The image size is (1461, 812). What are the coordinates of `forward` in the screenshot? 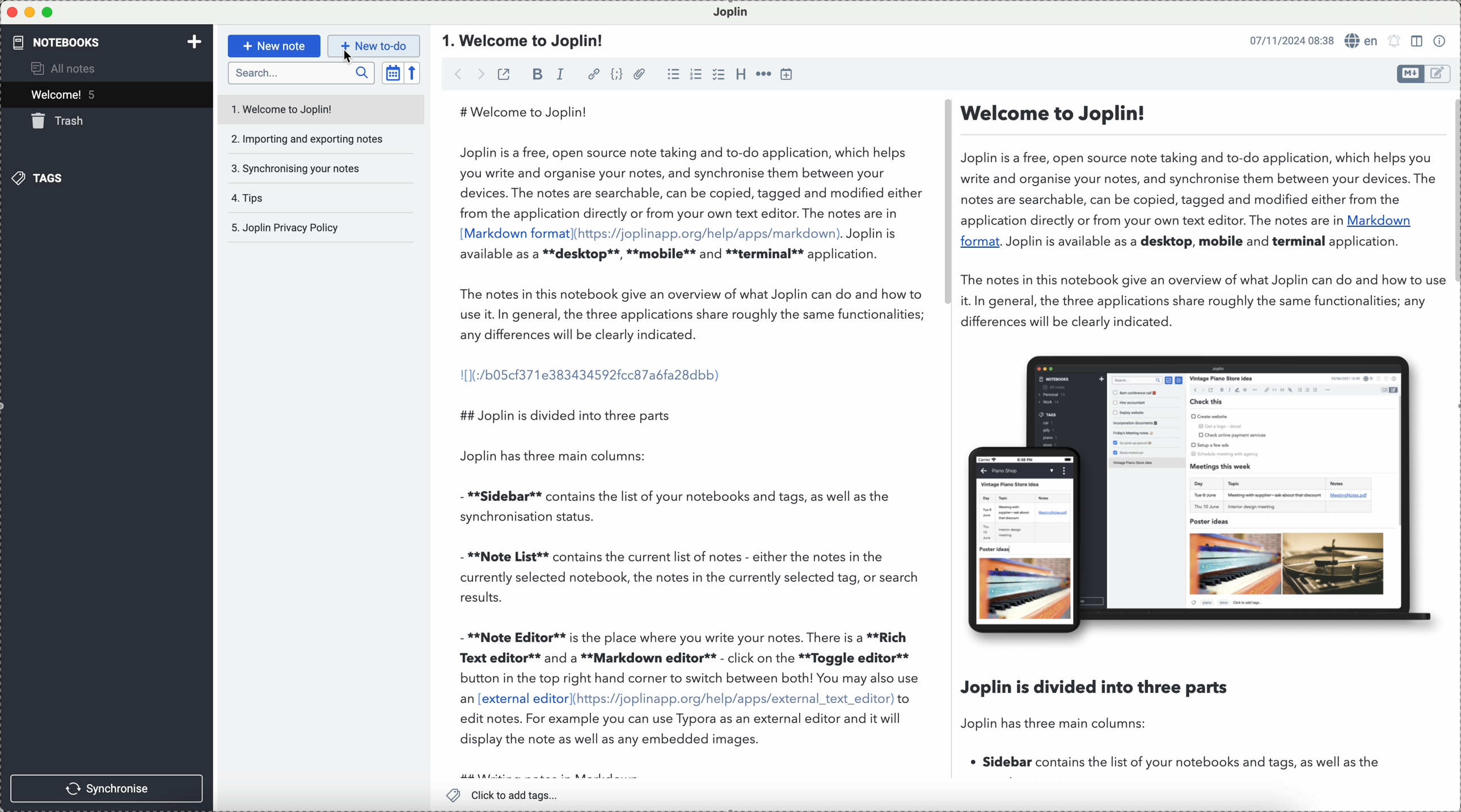 It's located at (479, 74).